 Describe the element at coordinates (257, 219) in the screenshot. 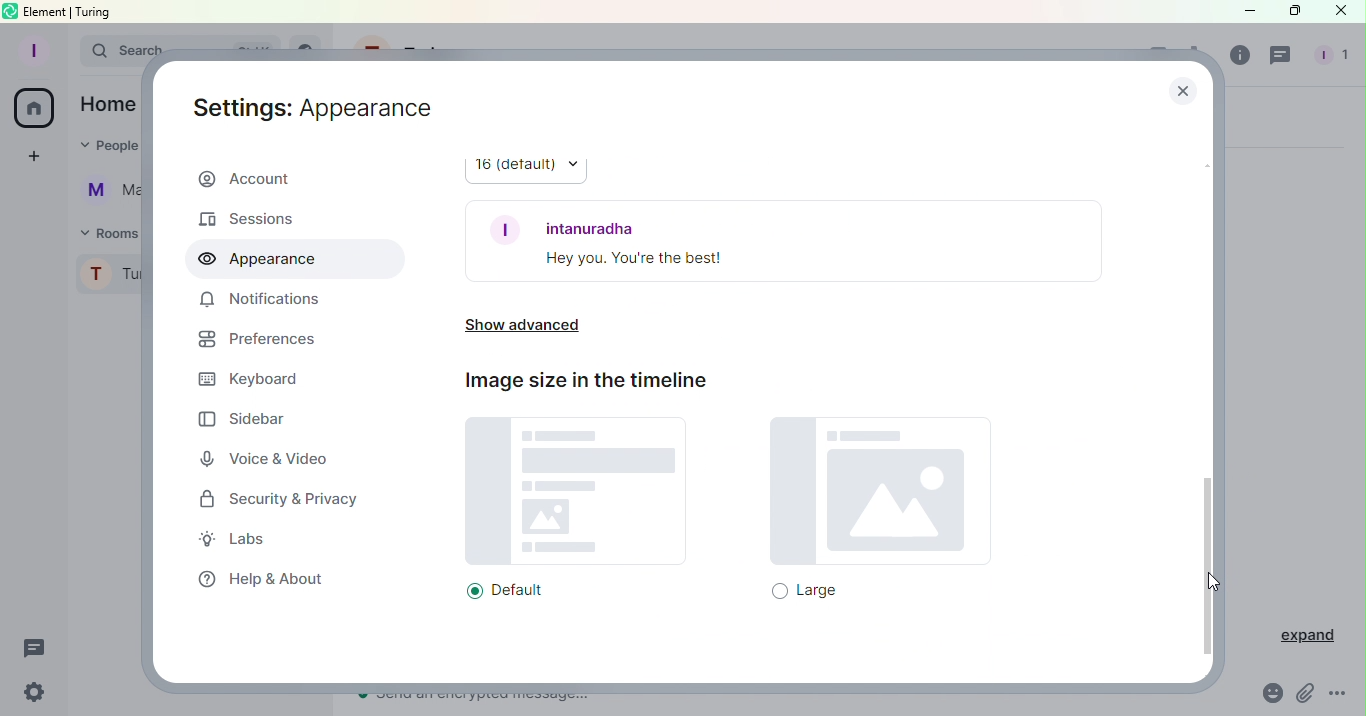

I see `Sessions` at that location.